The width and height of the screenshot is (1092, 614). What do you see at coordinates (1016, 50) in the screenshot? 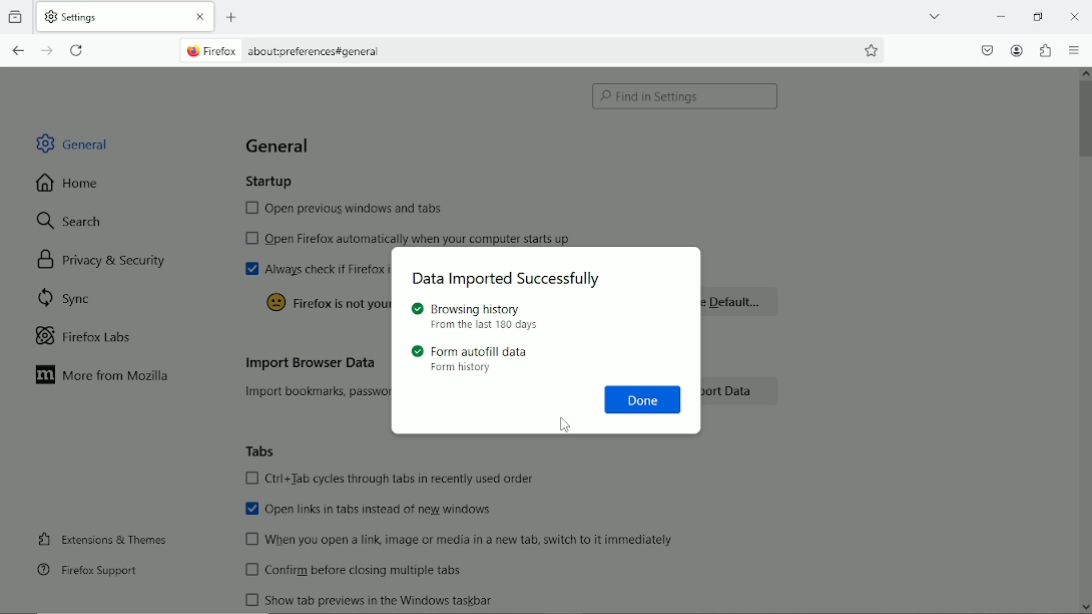
I see `Account` at bounding box center [1016, 50].